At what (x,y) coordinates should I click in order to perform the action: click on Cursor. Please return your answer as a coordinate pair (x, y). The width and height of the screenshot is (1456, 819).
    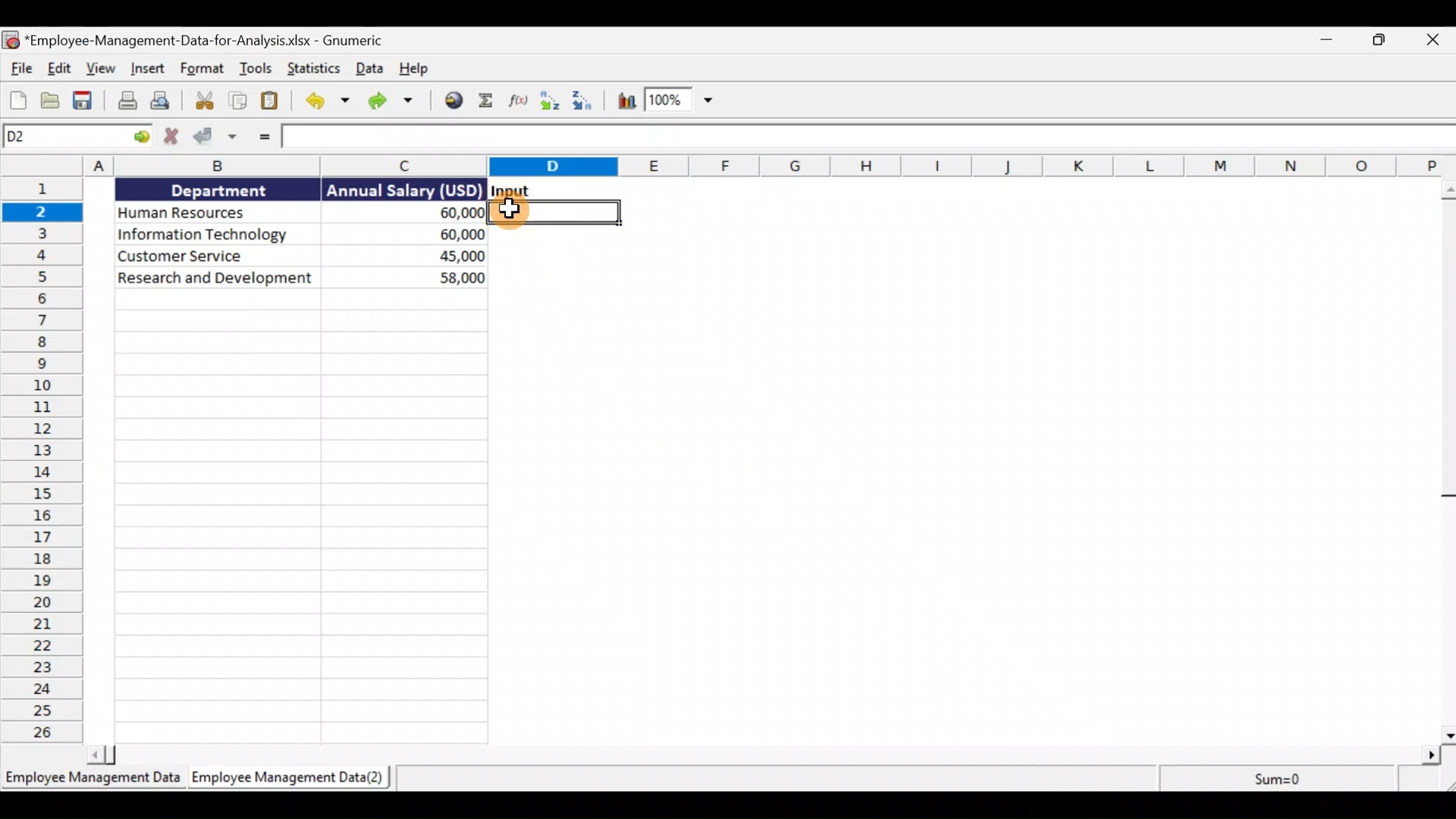
    Looking at the image, I should click on (509, 211).